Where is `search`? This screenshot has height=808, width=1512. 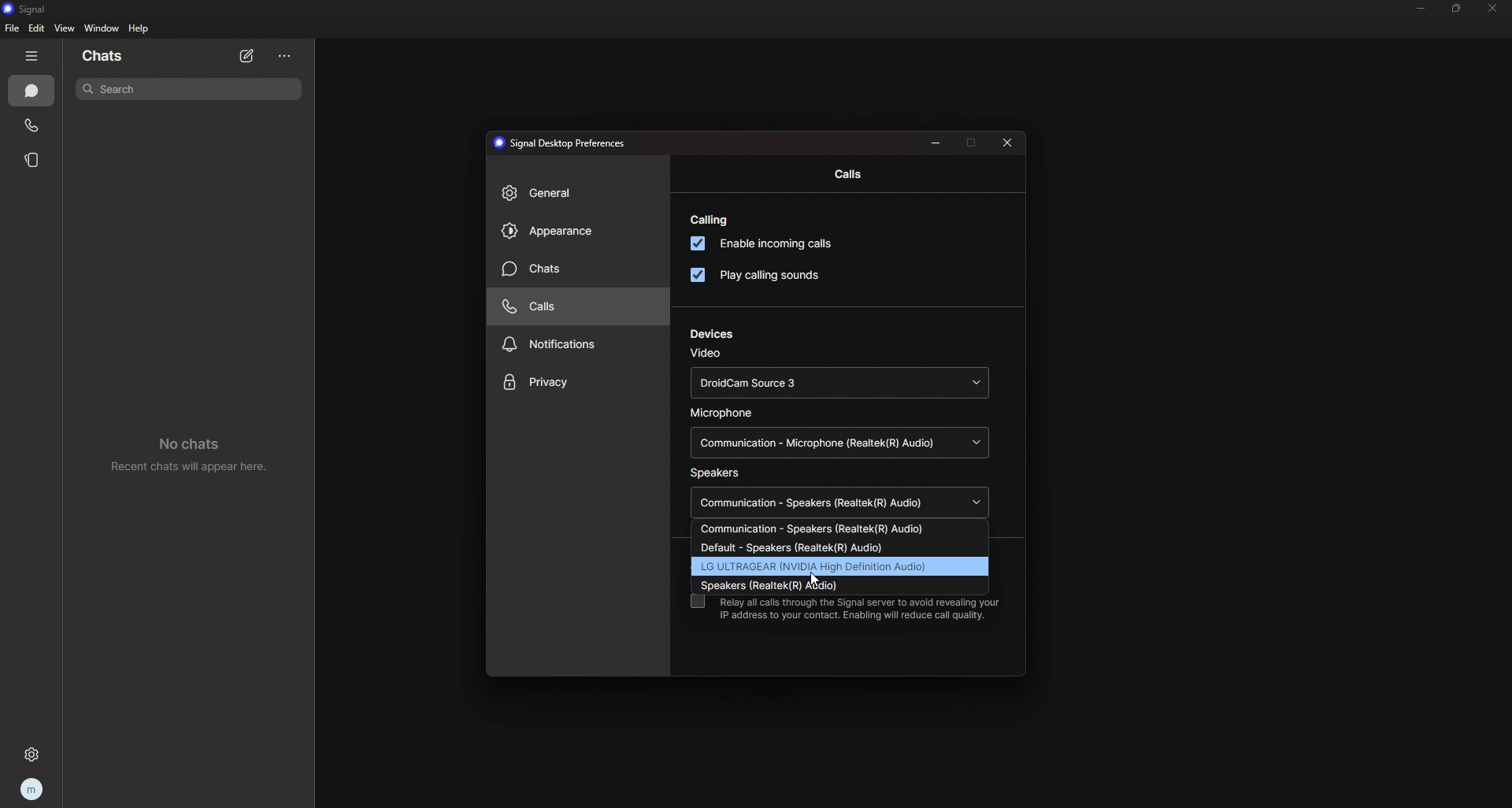
search is located at coordinates (191, 88).